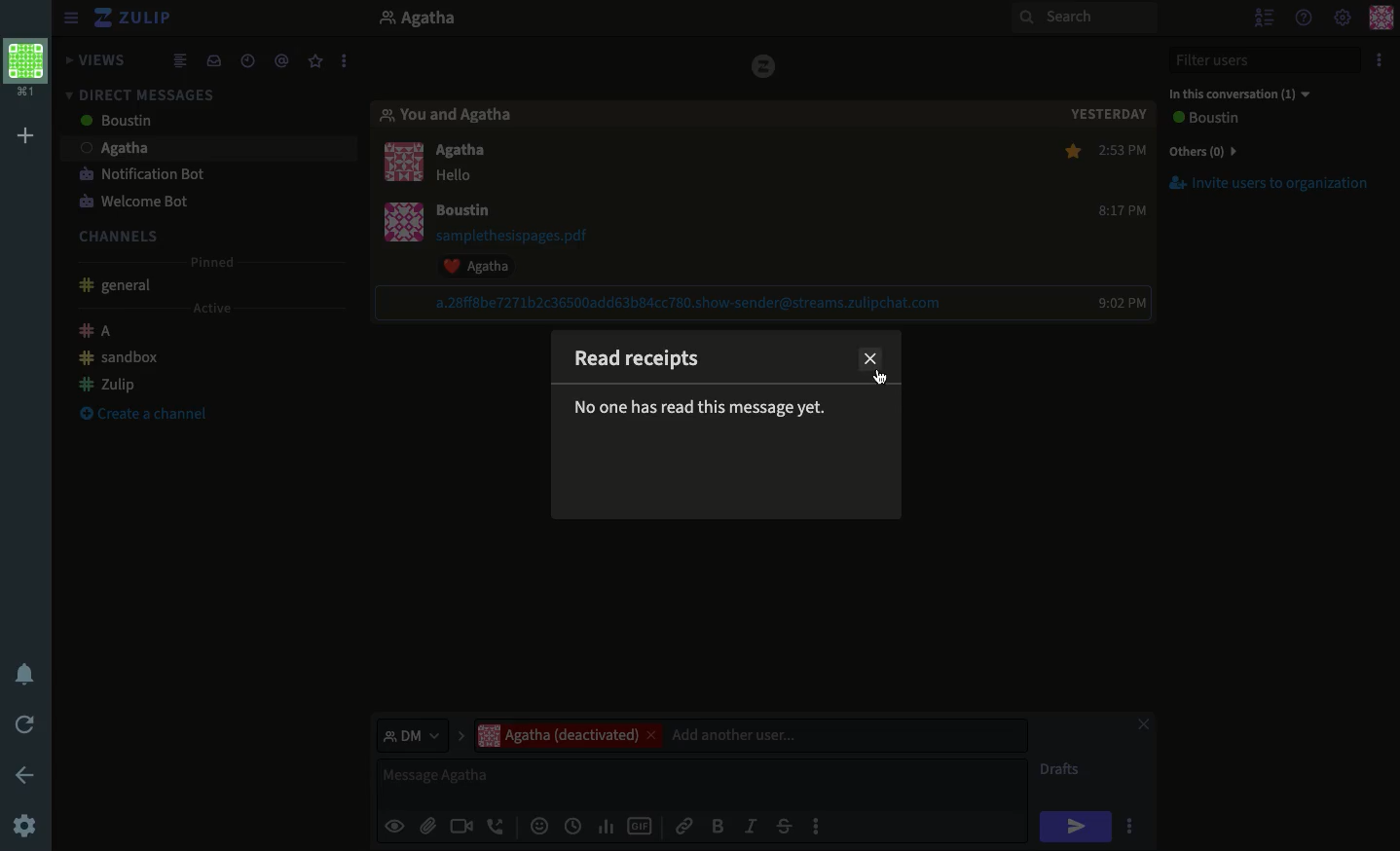 This screenshot has width=1400, height=851. Describe the element at coordinates (119, 287) in the screenshot. I see `General` at that location.